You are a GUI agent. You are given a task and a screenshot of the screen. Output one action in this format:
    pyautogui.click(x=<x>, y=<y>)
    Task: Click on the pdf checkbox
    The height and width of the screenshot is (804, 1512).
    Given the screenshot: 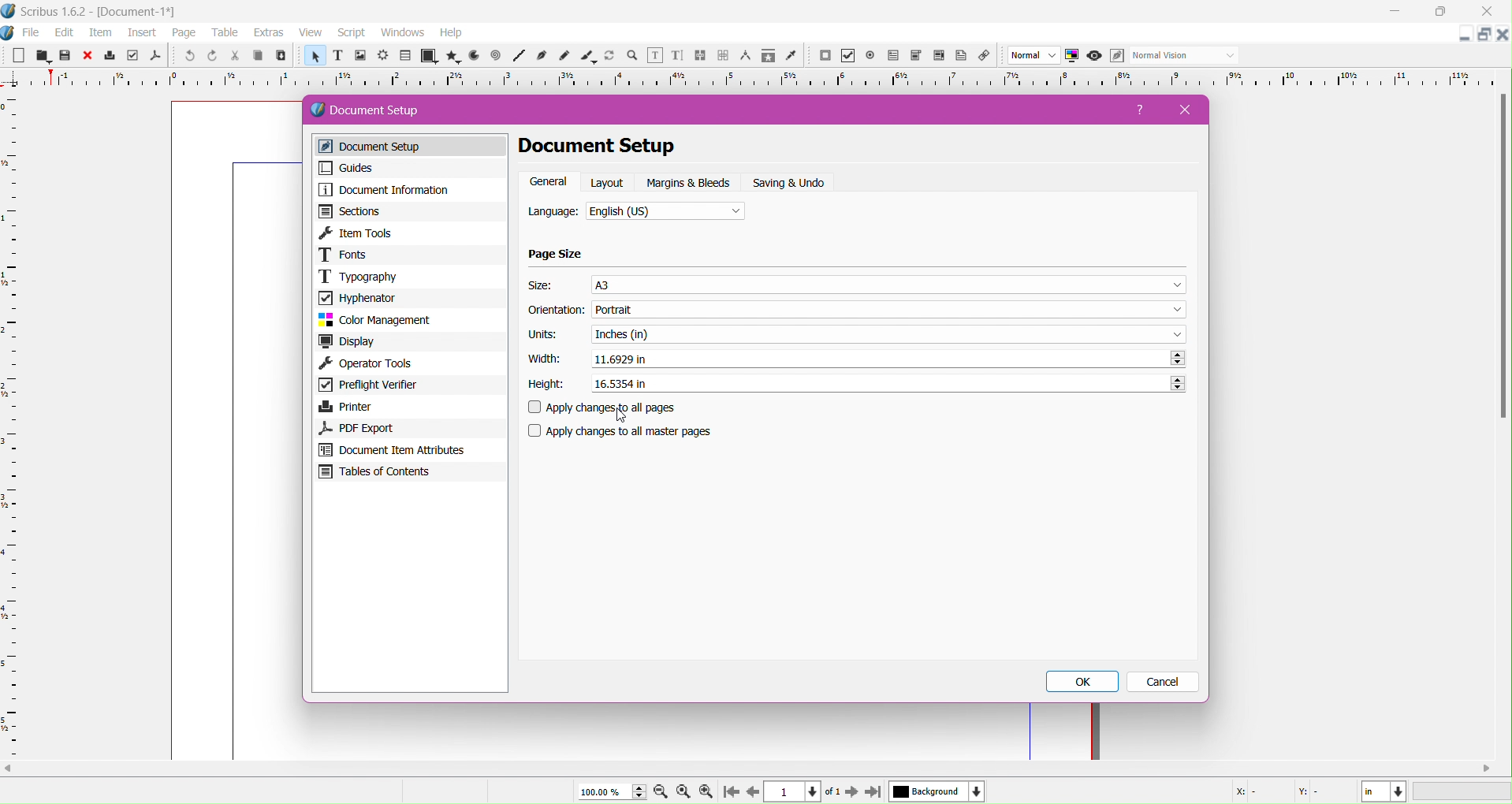 What is the action you would take?
    pyautogui.click(x=847, y=56)
    